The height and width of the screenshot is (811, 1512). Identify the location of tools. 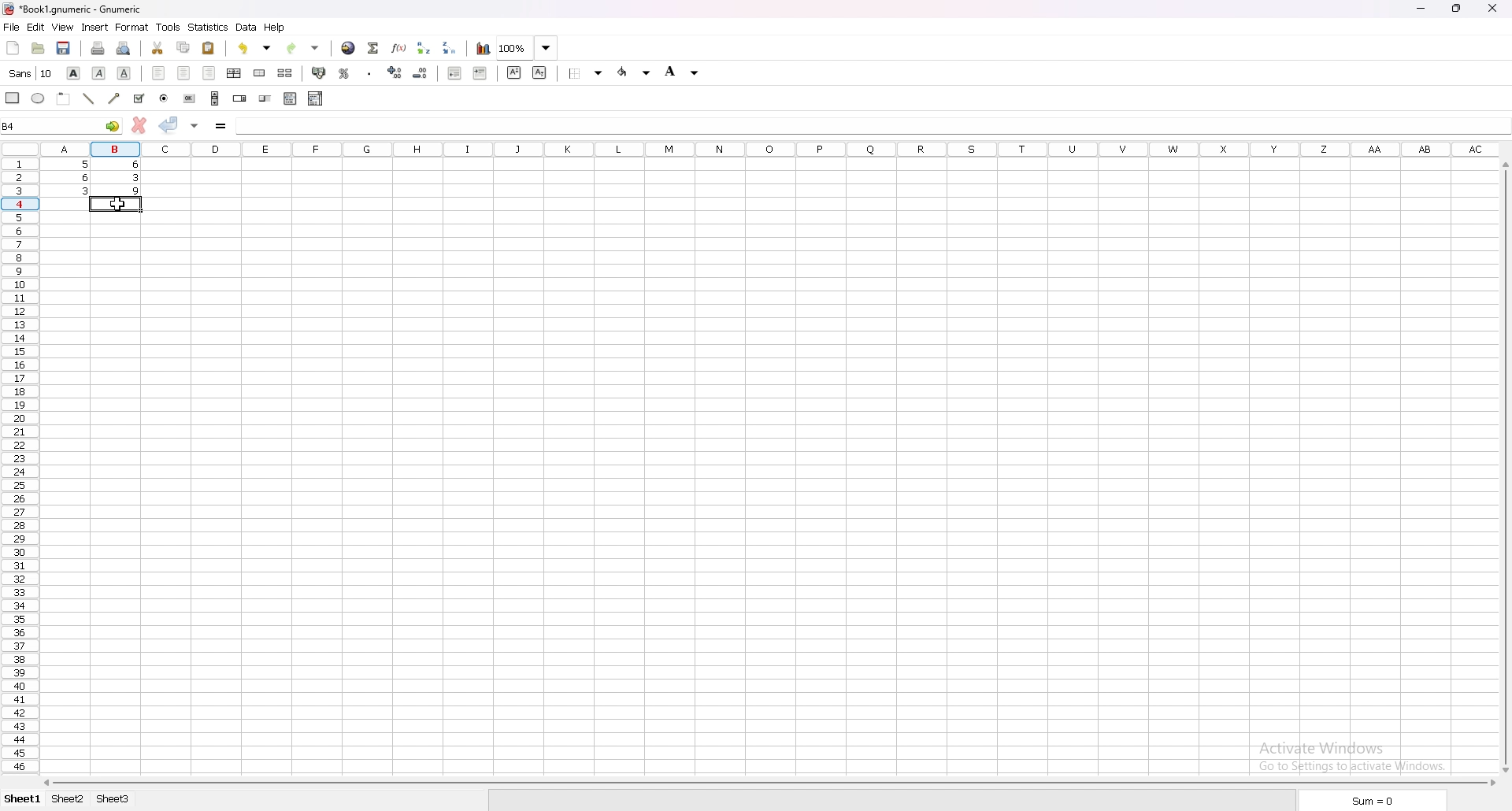
(168, 28).